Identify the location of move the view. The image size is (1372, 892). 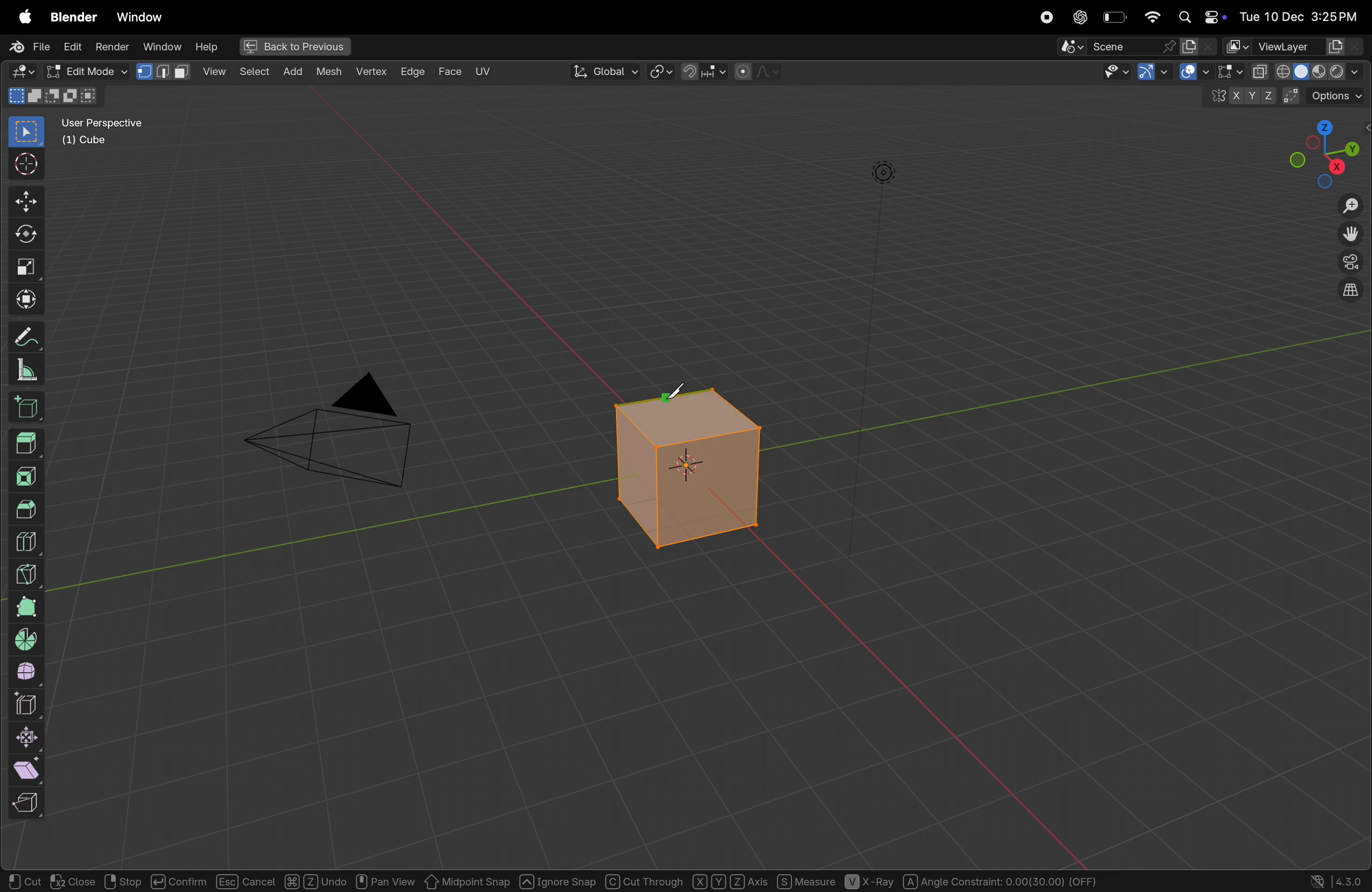
(1351, 235).